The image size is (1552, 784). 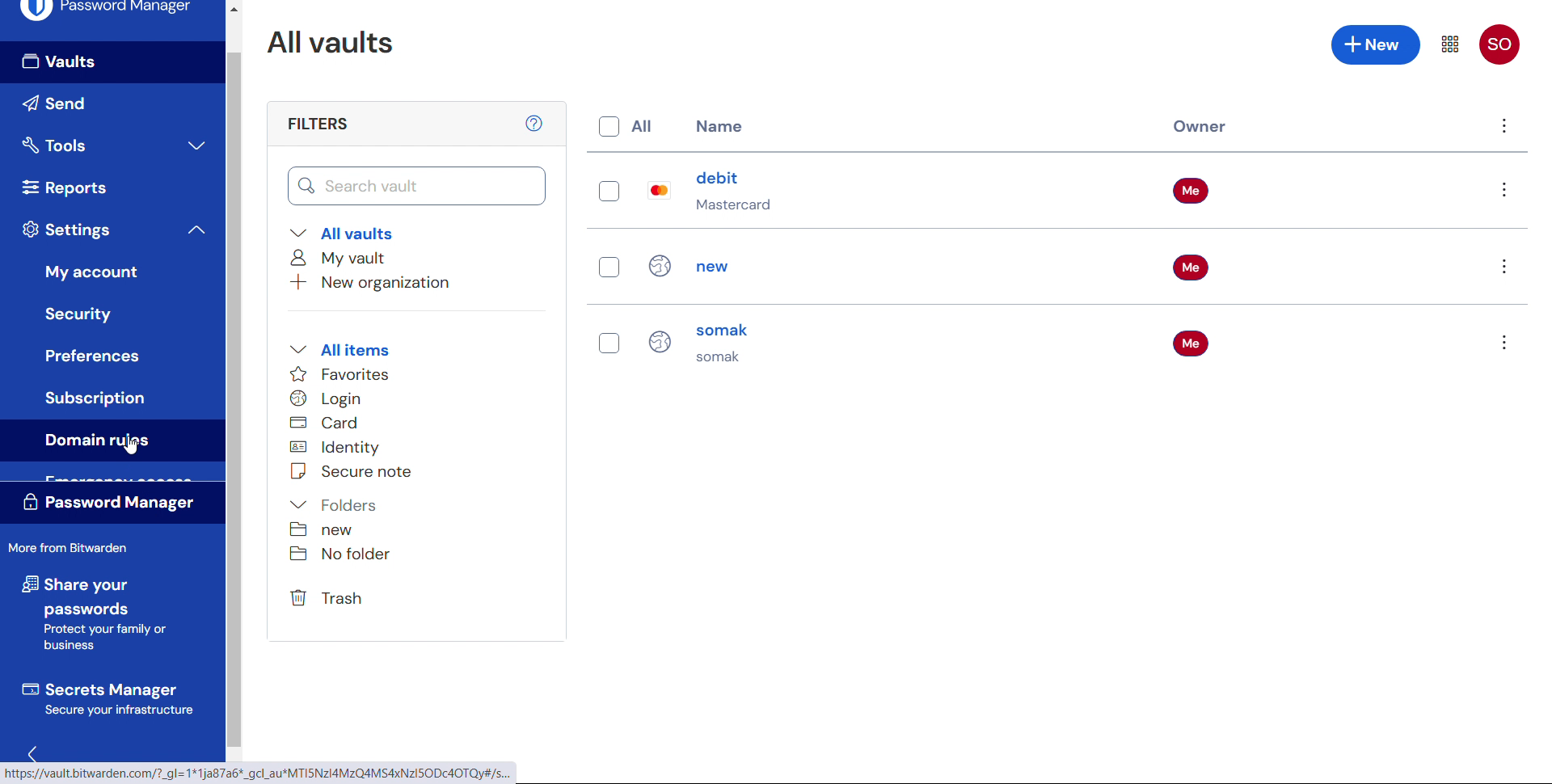 I want to click on Owner, so click(x=1196, y=128).